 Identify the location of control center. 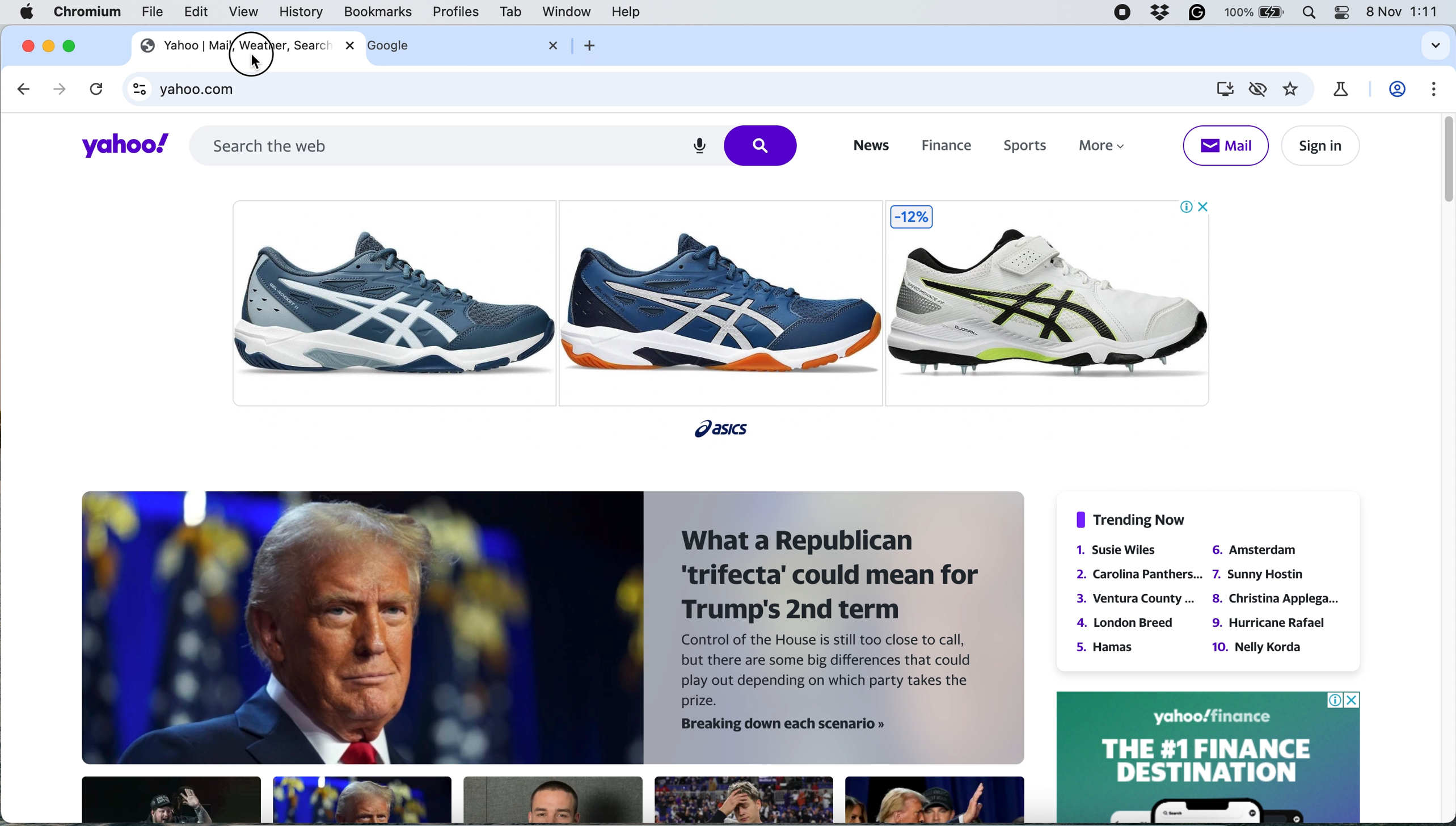
(1344, 12).